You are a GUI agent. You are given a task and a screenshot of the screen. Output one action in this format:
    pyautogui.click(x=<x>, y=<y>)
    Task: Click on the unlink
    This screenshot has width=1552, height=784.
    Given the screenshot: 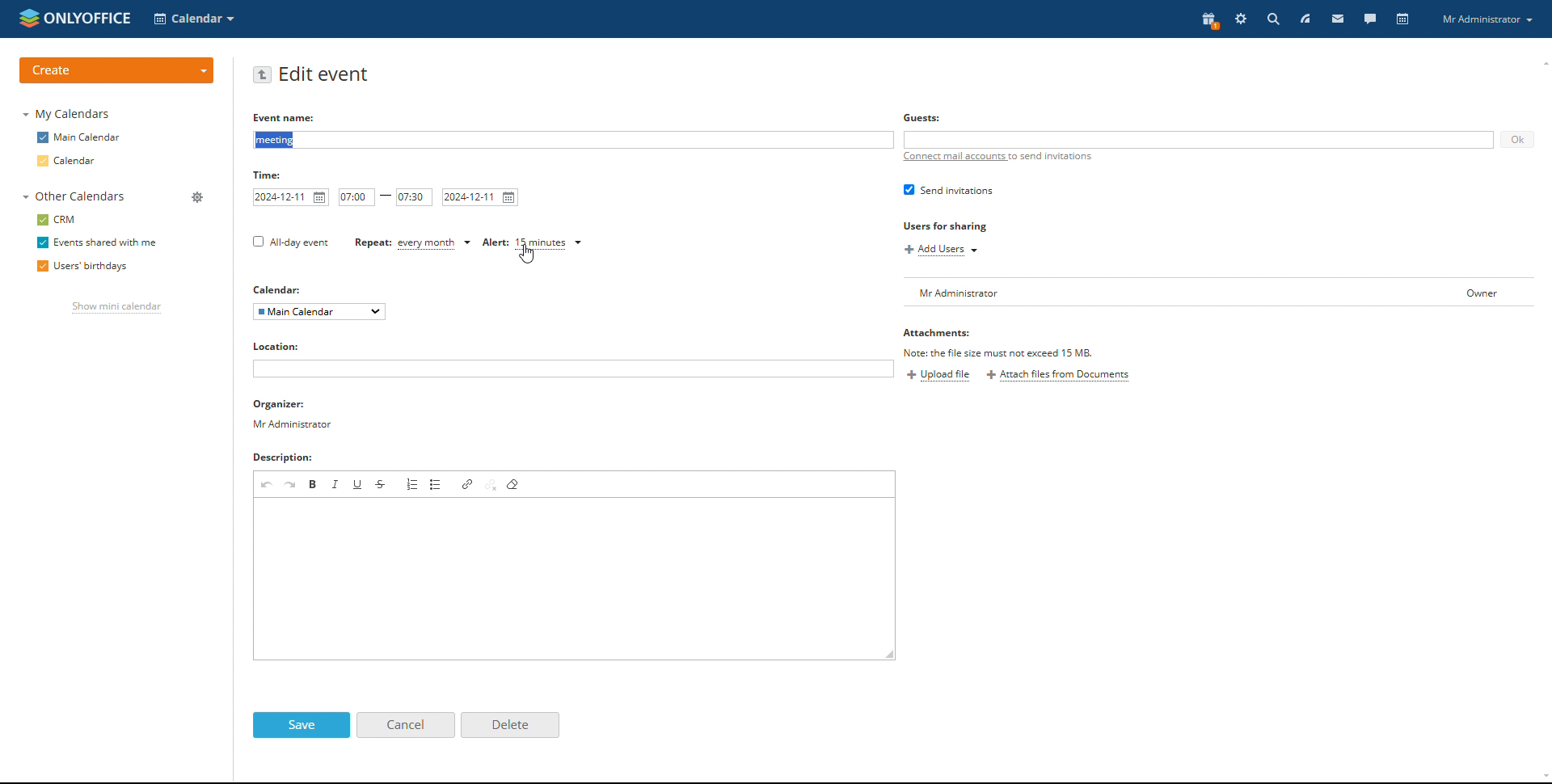 What is the action you would take?
    pyautogui.click(x=491, y=484)
    